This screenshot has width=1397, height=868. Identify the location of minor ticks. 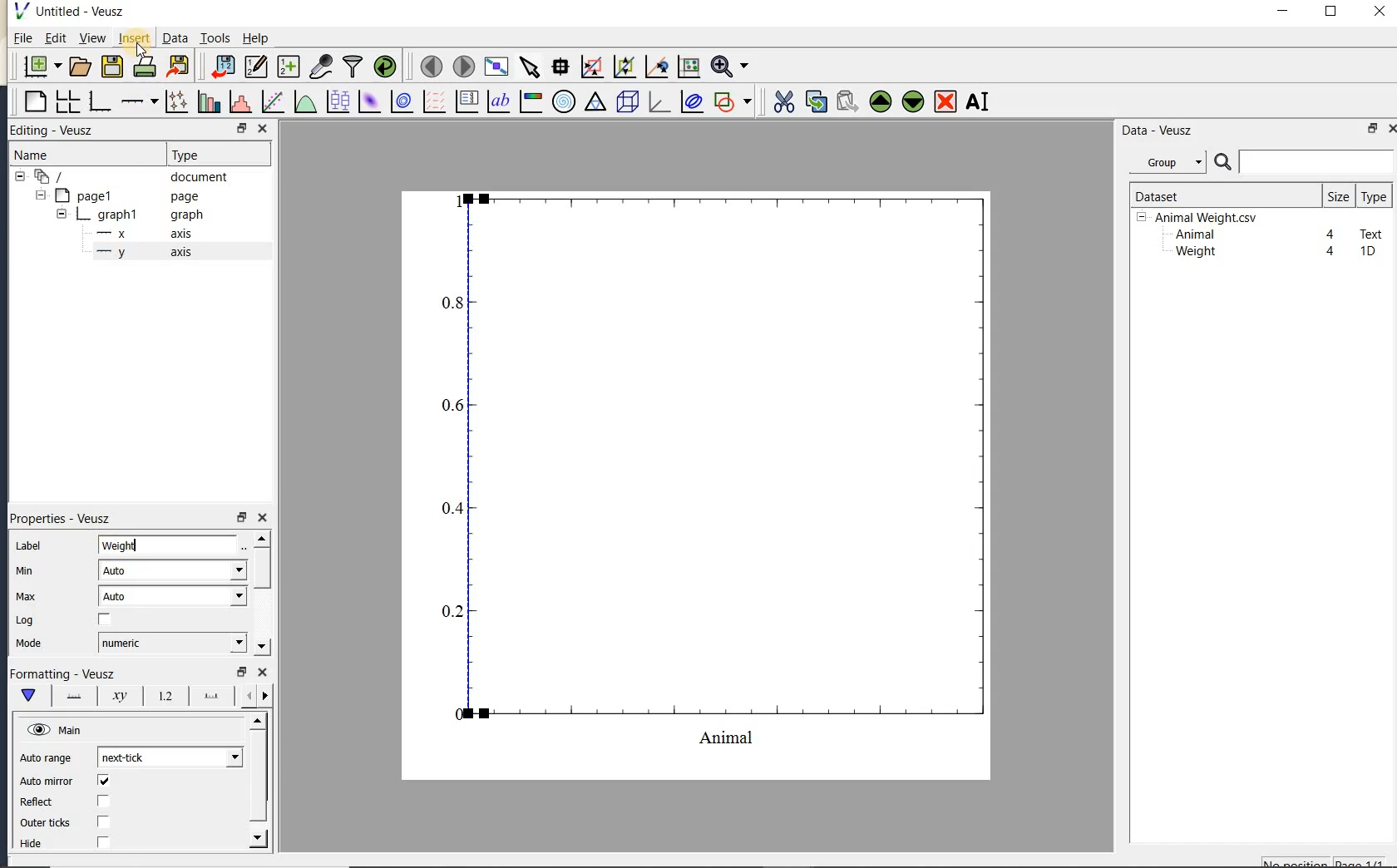
(254, 696).